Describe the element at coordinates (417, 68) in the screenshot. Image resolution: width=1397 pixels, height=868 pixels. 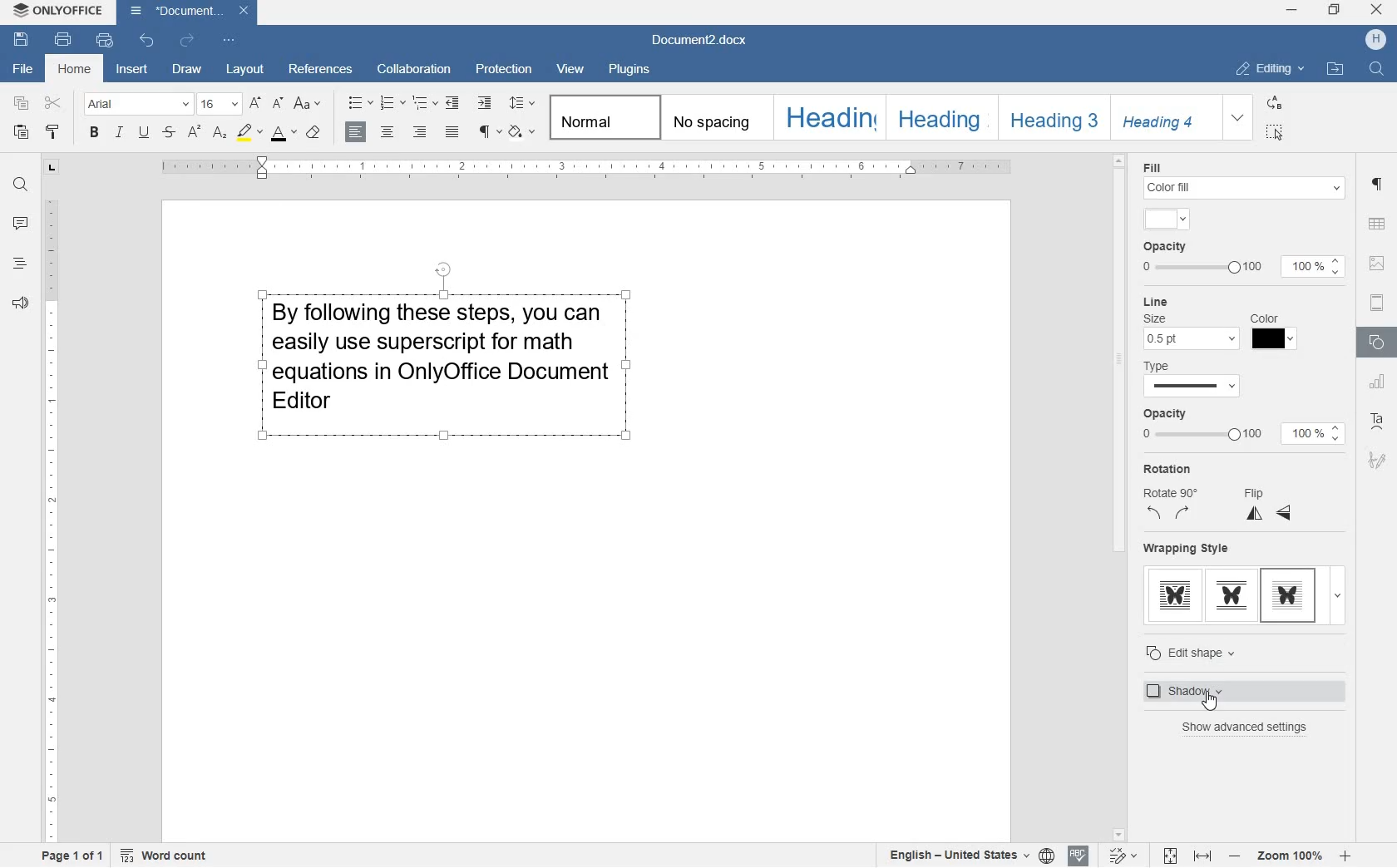
I see `collaboration` at that location.